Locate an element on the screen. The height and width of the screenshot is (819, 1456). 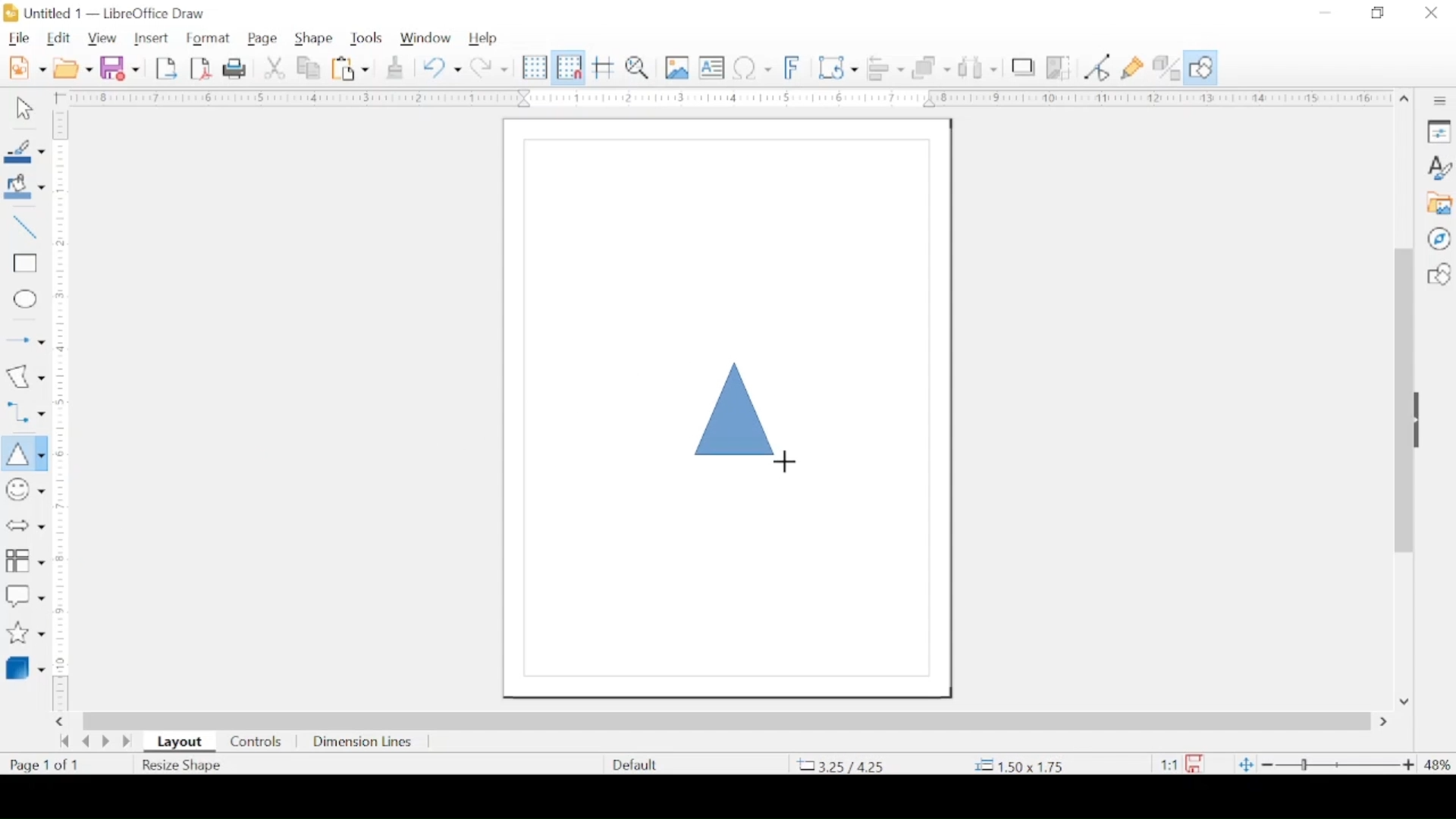
stars and banner is located at coordinates (24, 632).